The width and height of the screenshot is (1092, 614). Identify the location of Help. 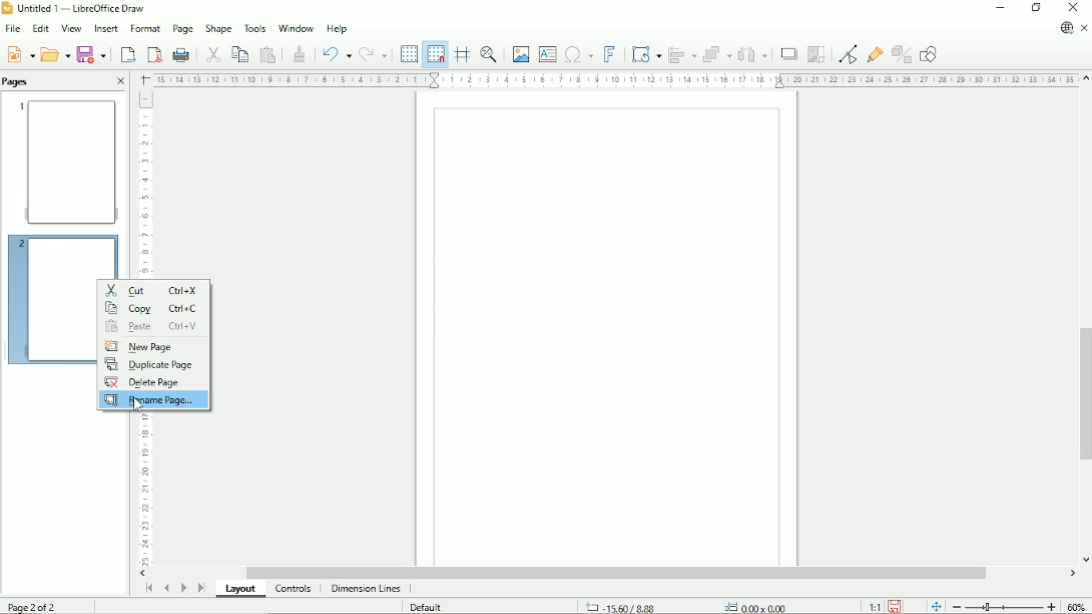
(337, 28).